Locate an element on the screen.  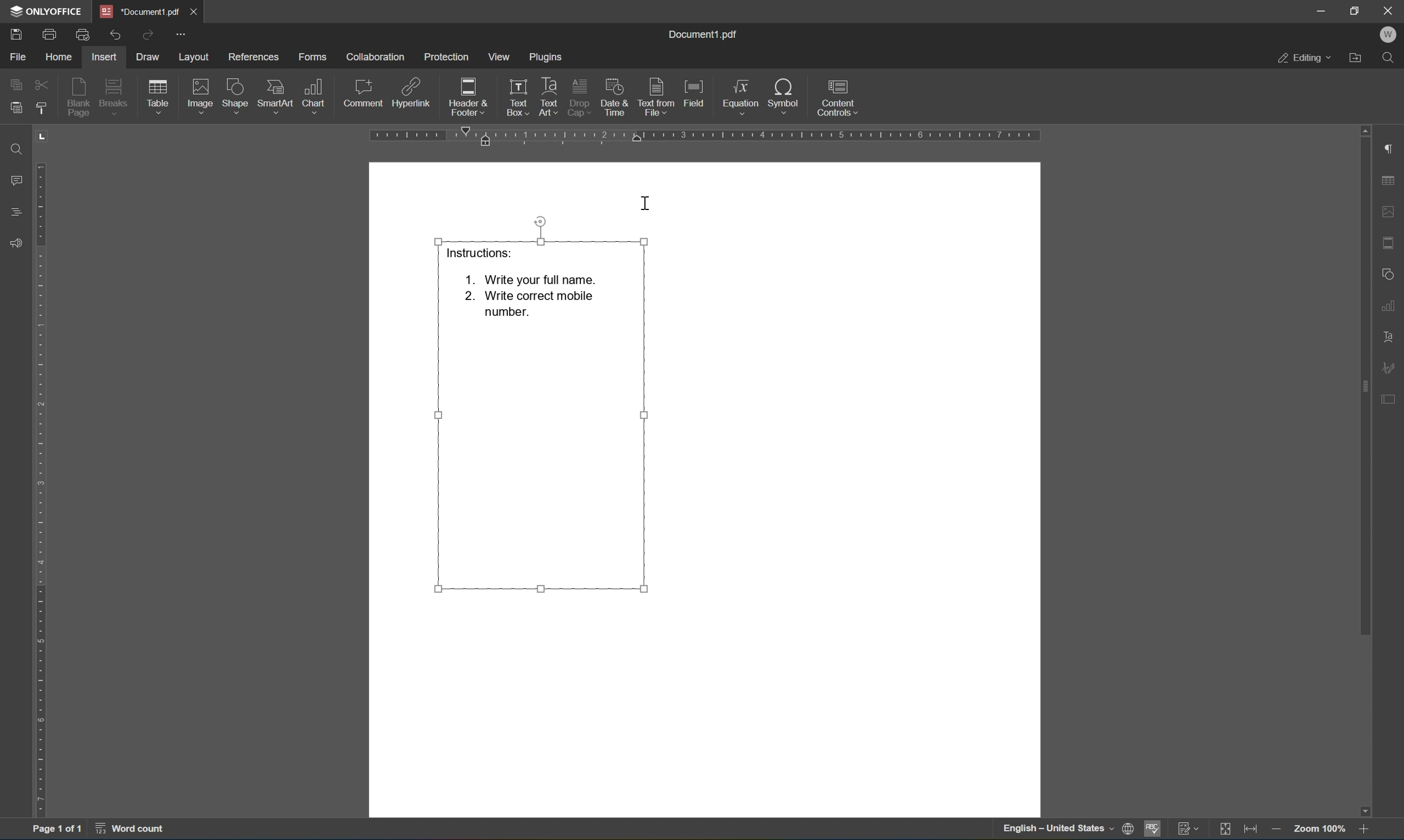
protection is located at coordinates (446, 56).